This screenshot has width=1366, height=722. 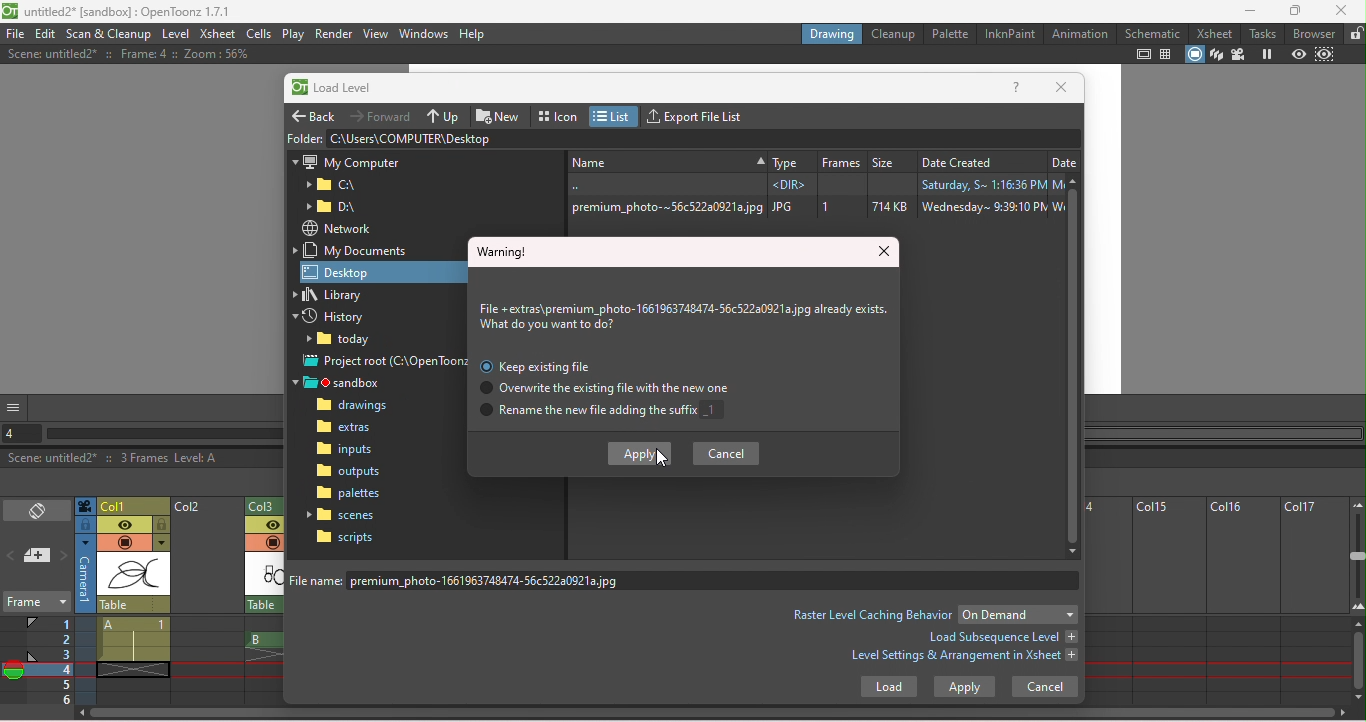 What do you see at coordinates (38, 557) in the screenshot?
I see `New memo` at bounding box center [38, 557].